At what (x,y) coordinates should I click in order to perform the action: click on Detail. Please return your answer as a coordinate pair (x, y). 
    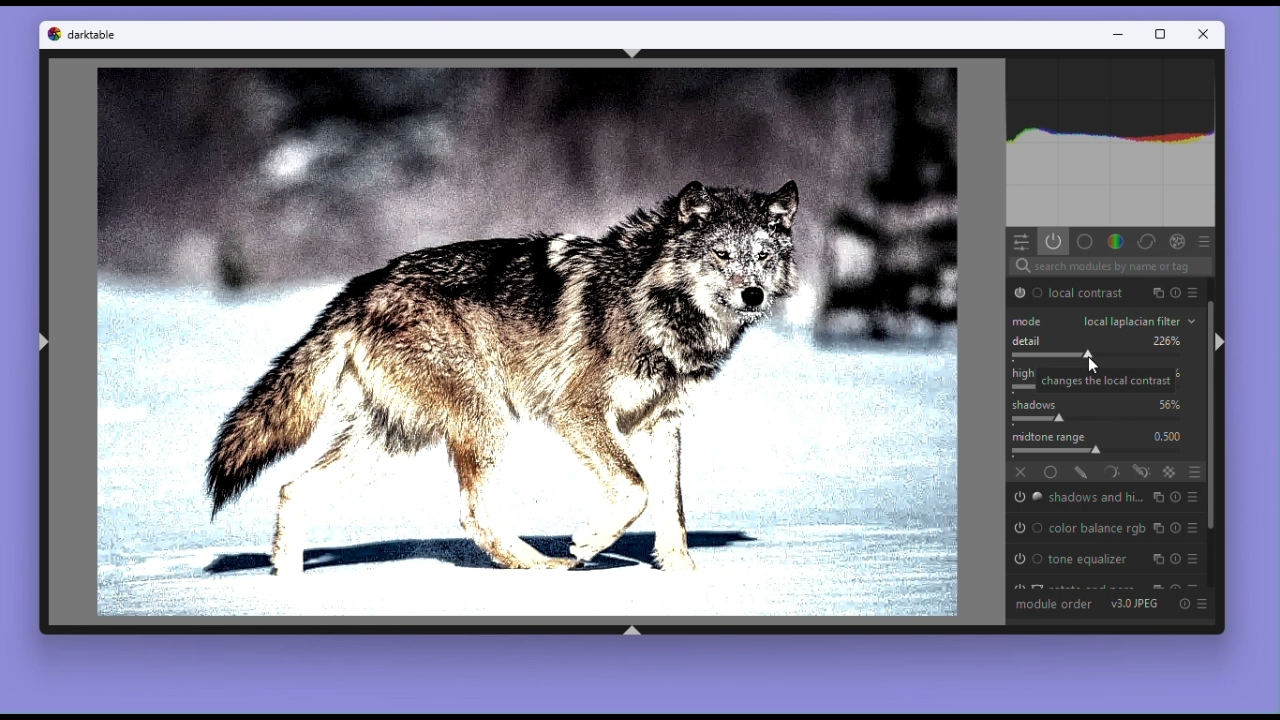
    Looking at the image, I should click on (1104, 348).